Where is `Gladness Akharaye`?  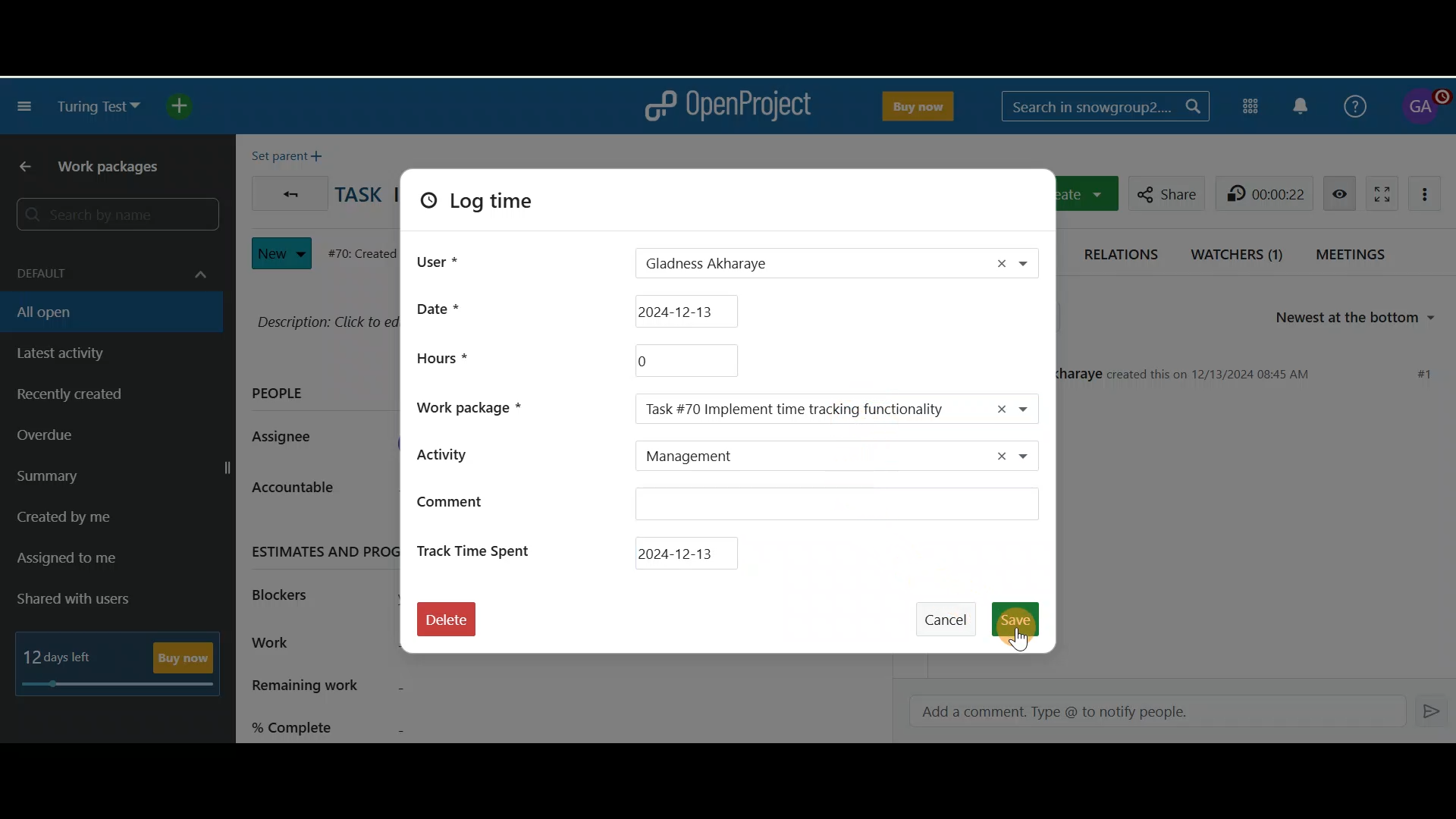 Gladness Akharaye is located at coordinates (788, 265).